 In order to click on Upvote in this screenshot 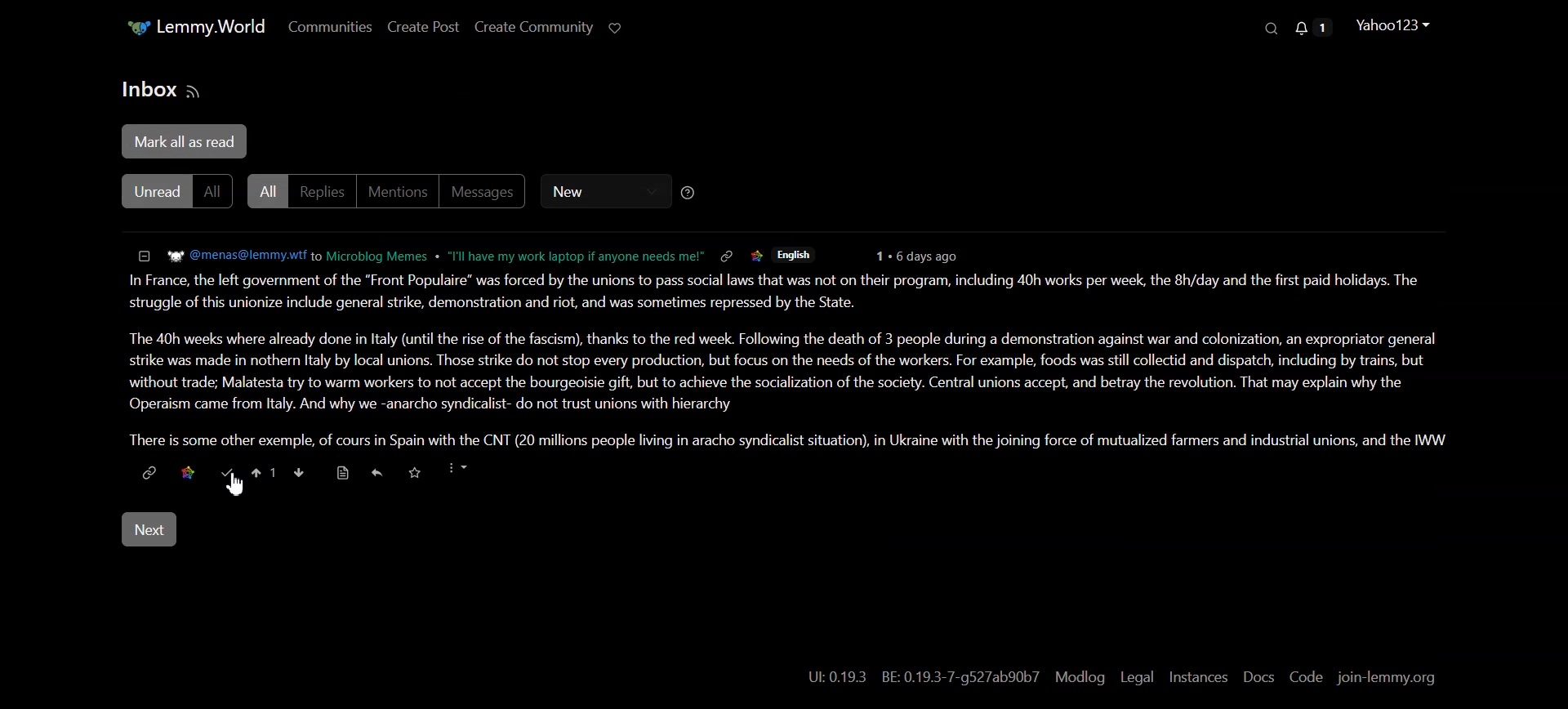, I will do `click(266, 472)`.